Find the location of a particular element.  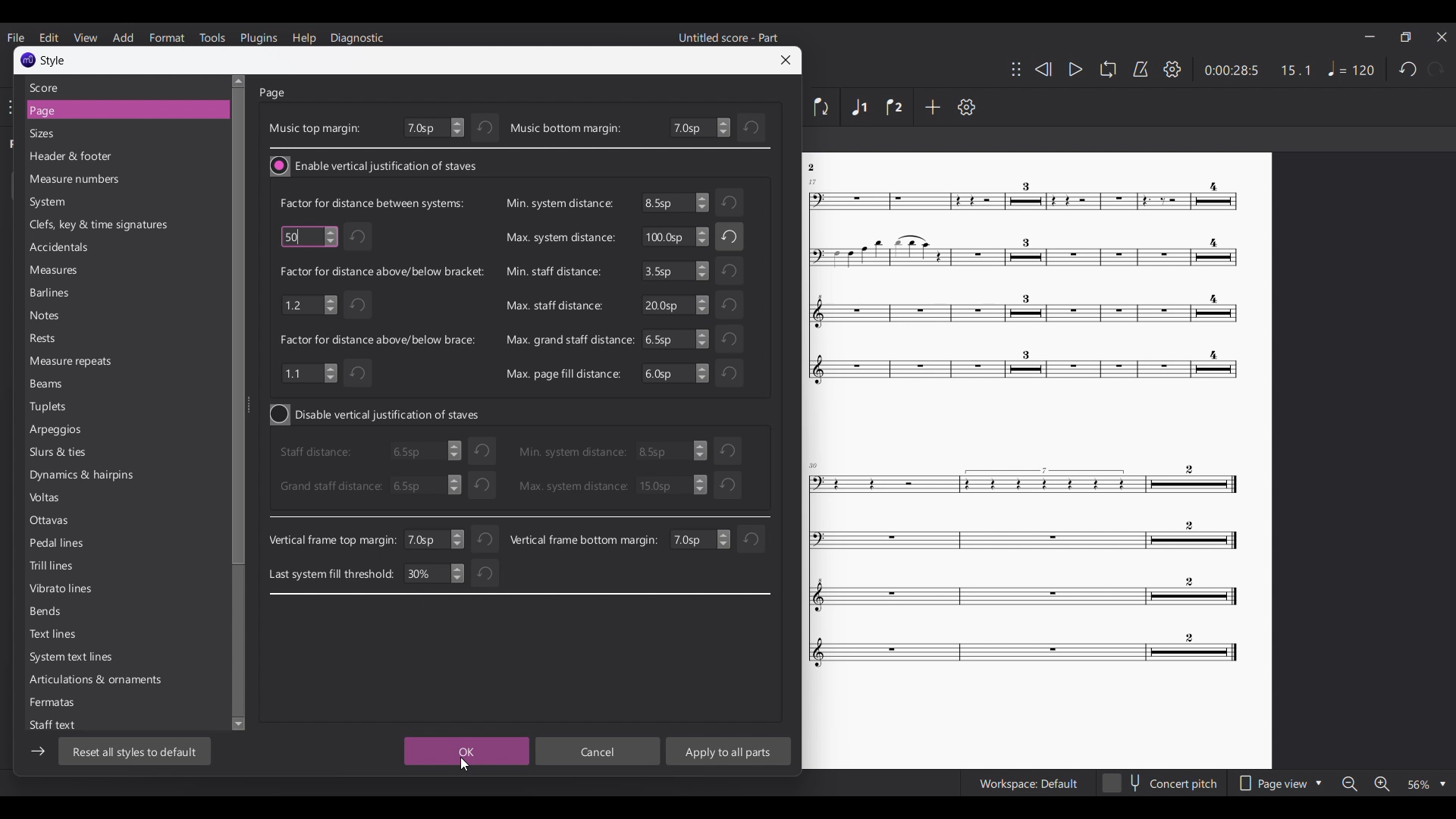

Header & footer is located at coordinates (114, 158).